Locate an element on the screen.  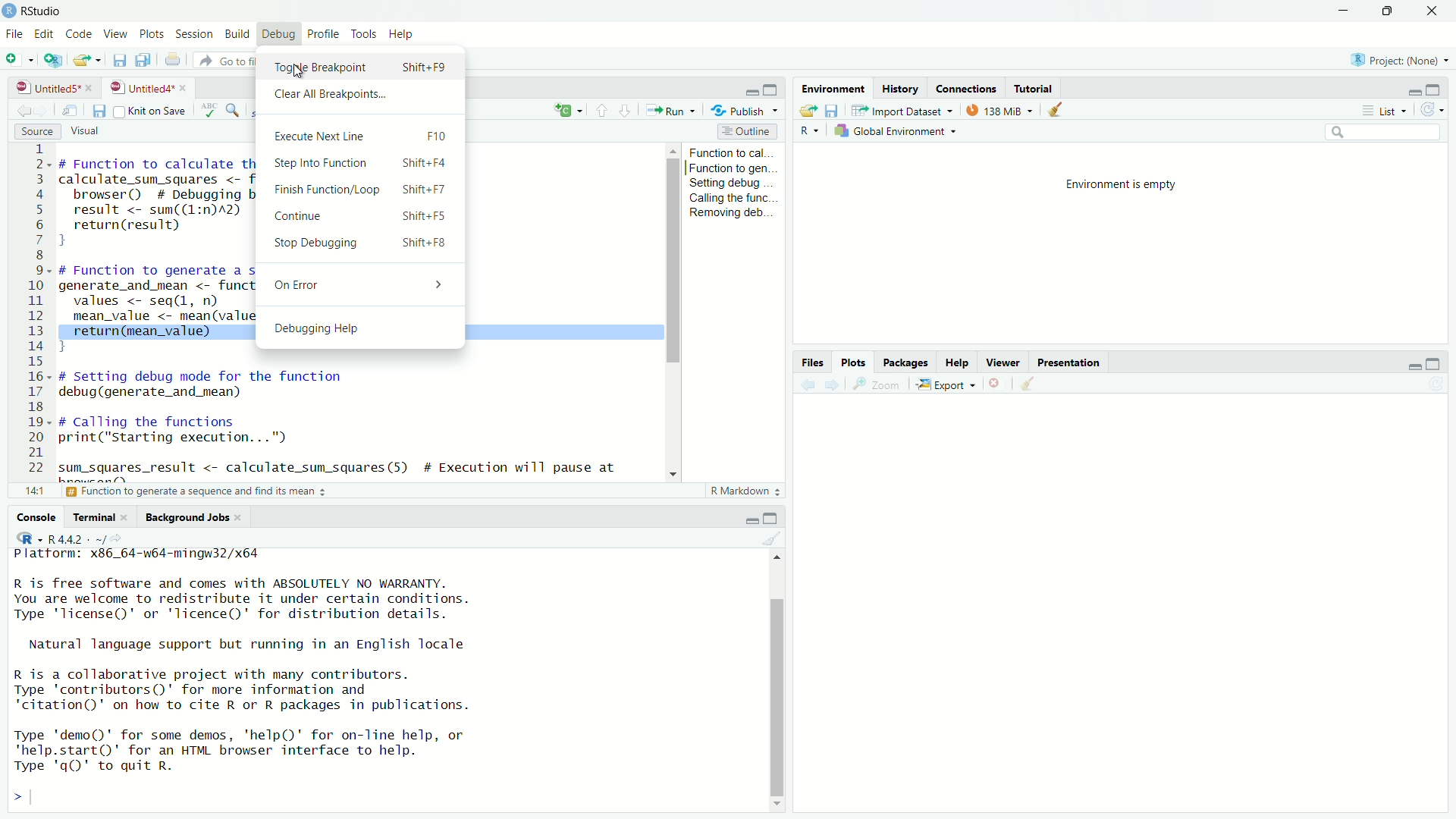
terminal is located at coordinates (90, 516).